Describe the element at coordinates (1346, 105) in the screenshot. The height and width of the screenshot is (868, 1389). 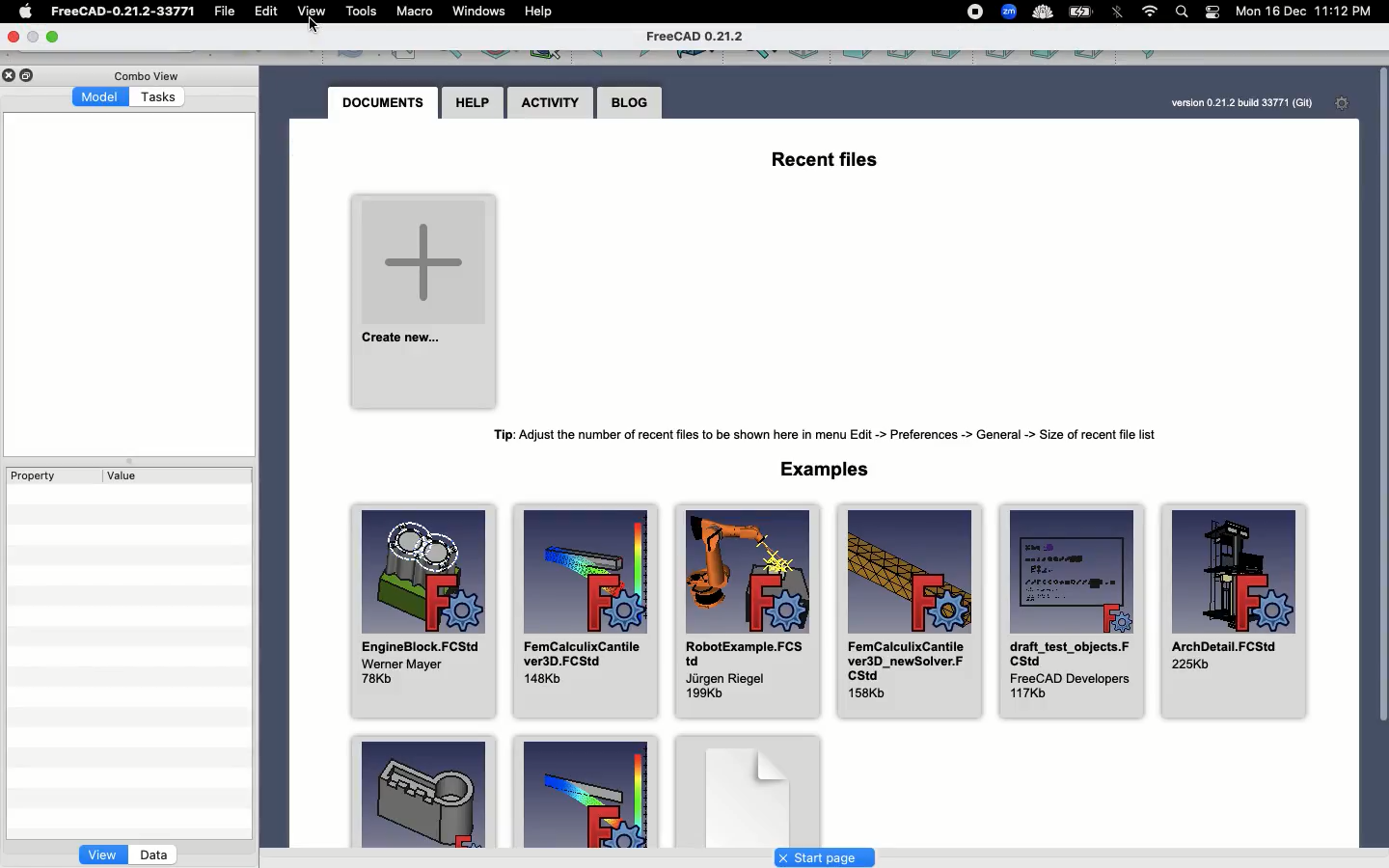
I see `Settings` at that location.